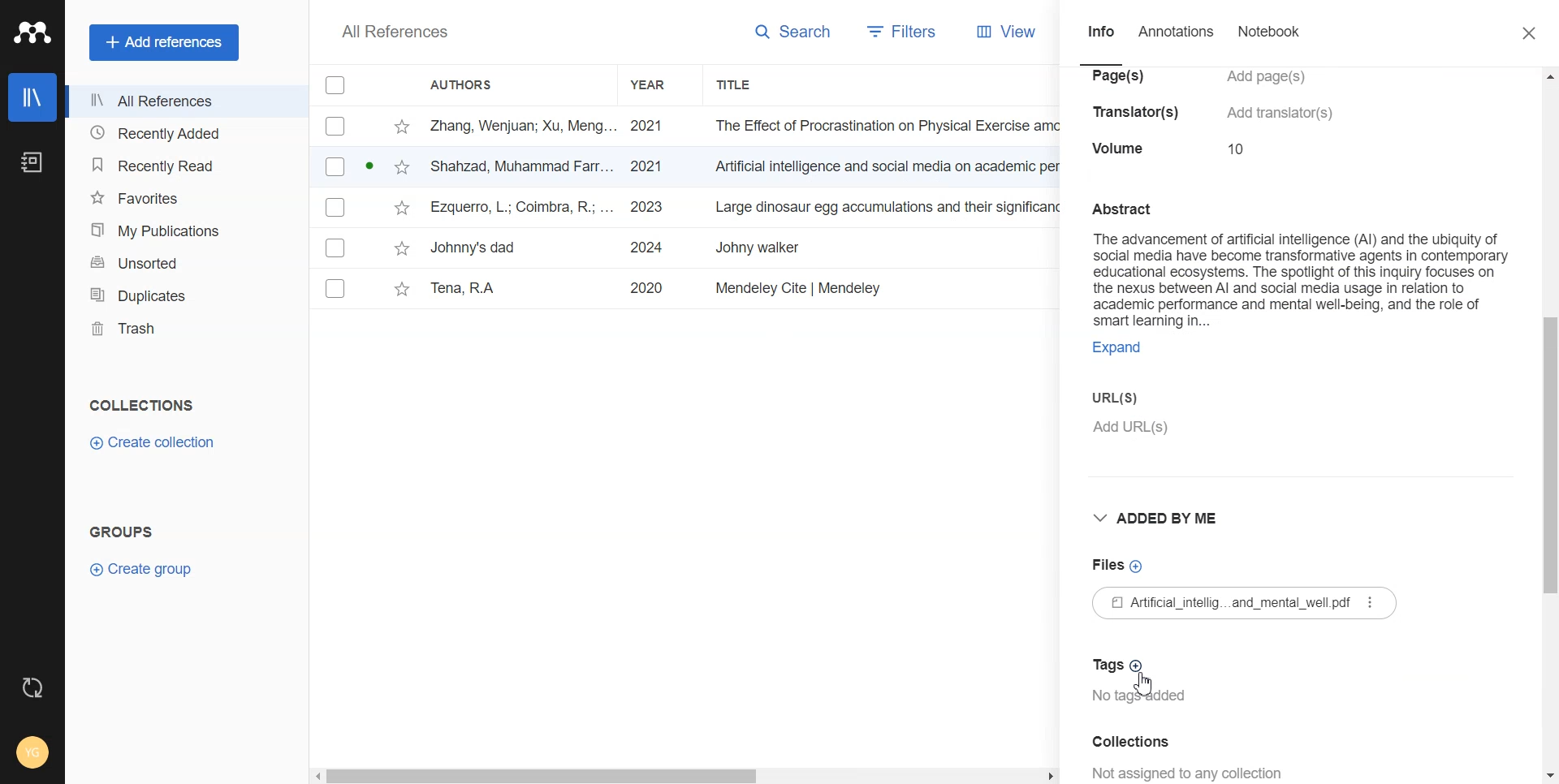  Describe the element at coordinates (1121, 663) in the screenshot. I see `Tags` at that location.